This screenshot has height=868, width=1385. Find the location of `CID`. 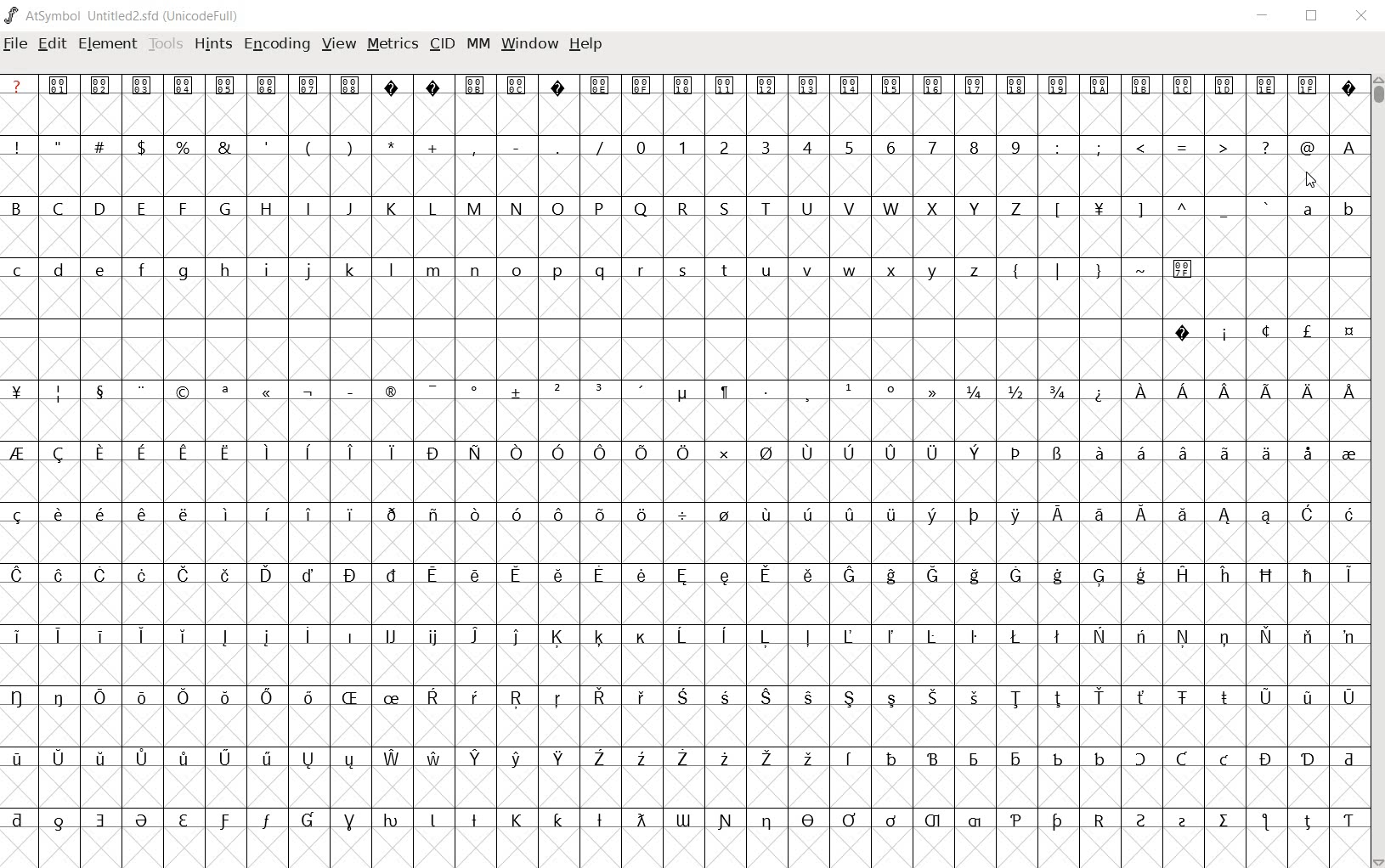

CID is located at coordinates (439, 43).